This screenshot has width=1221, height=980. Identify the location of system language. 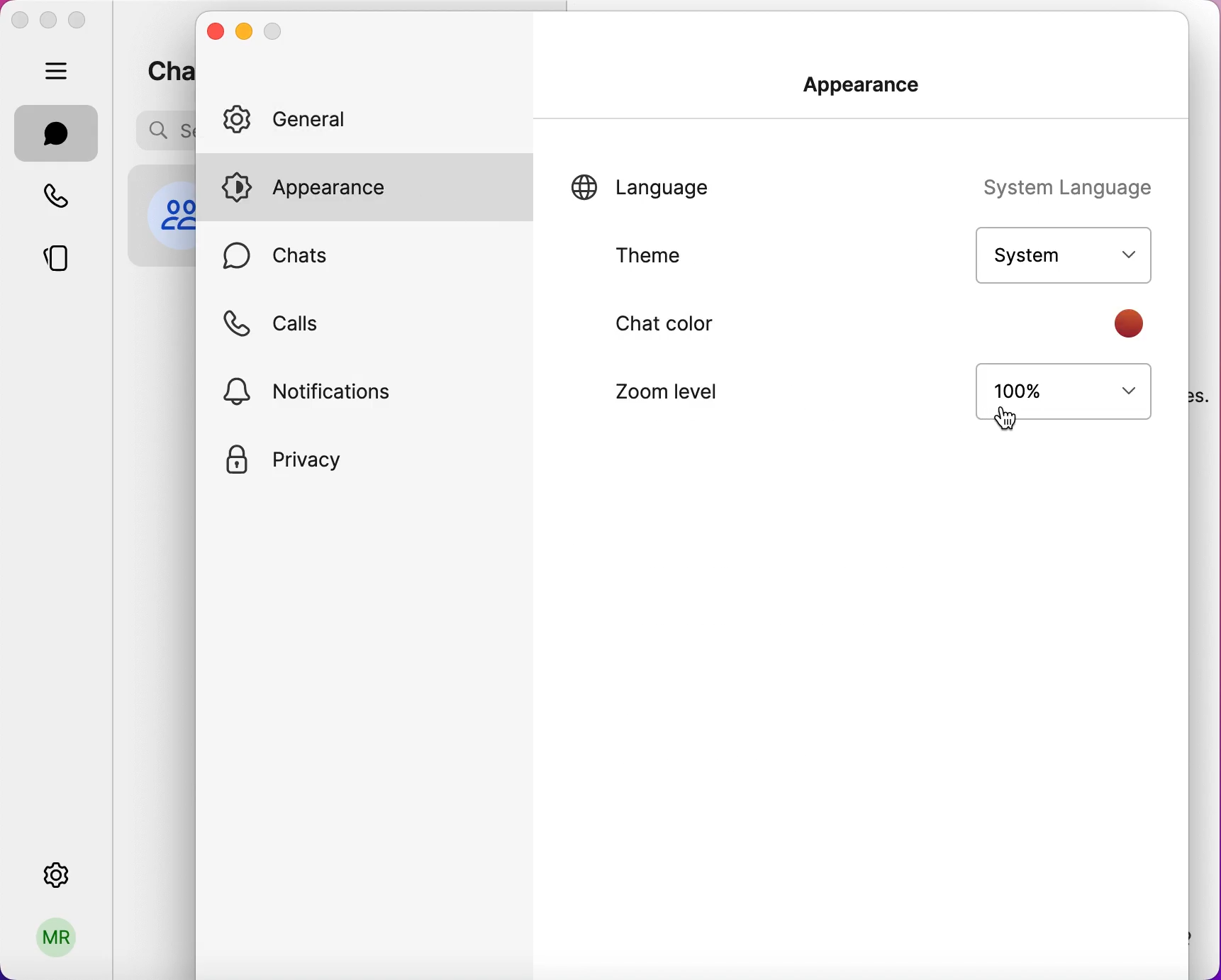
(1075, 172).